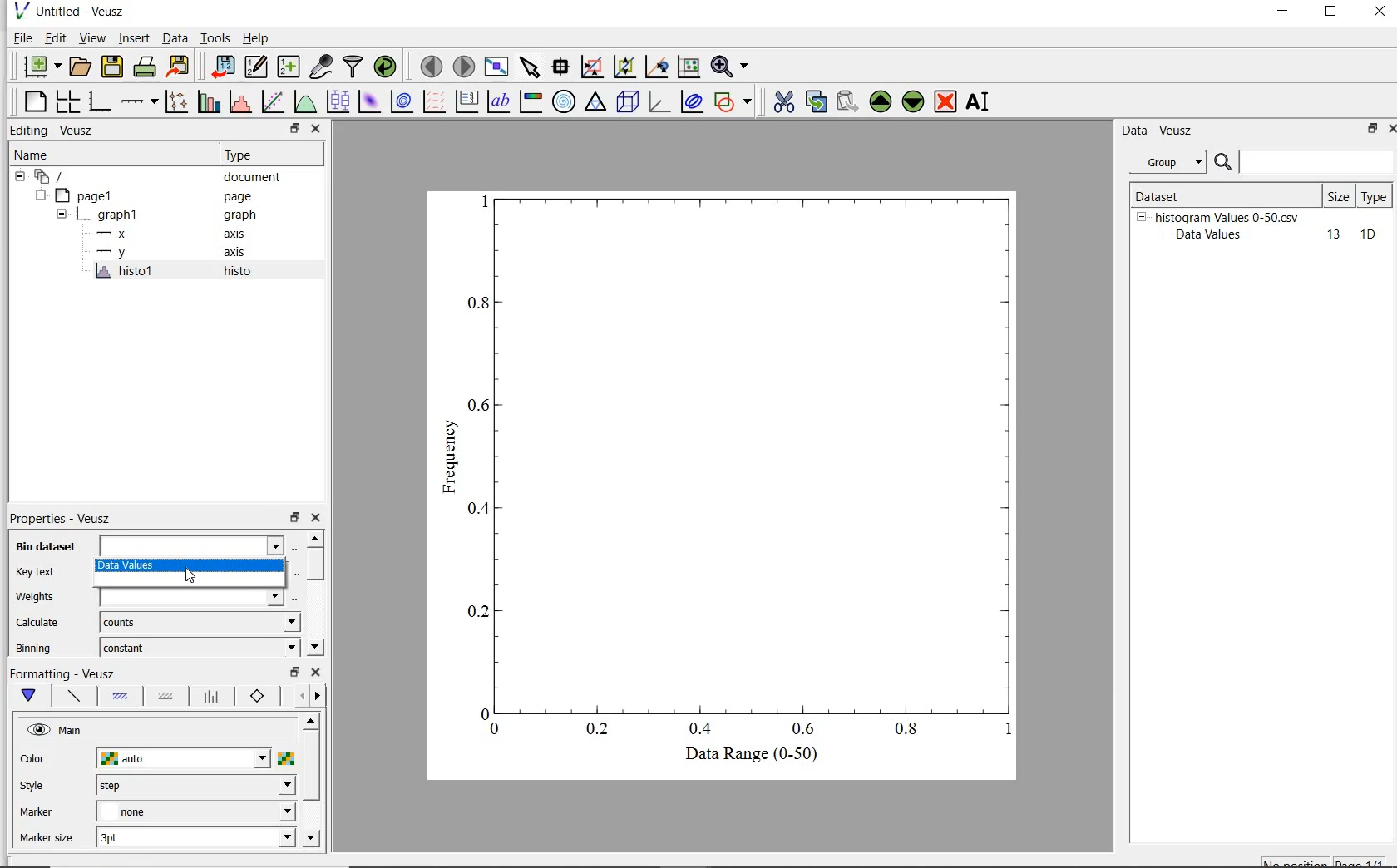  Describe the element at coordinates (466, 101) in the screenshot. I see `plot key` at that location.